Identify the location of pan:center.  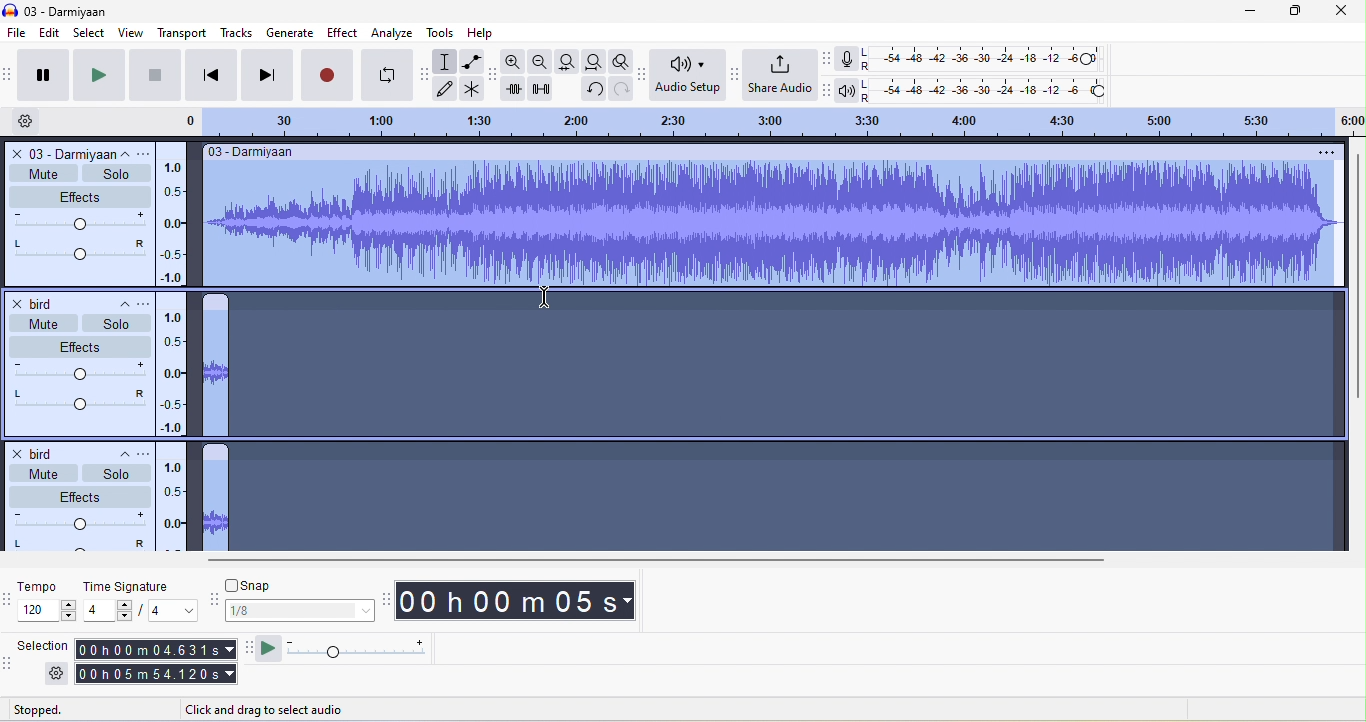
(79, 398).